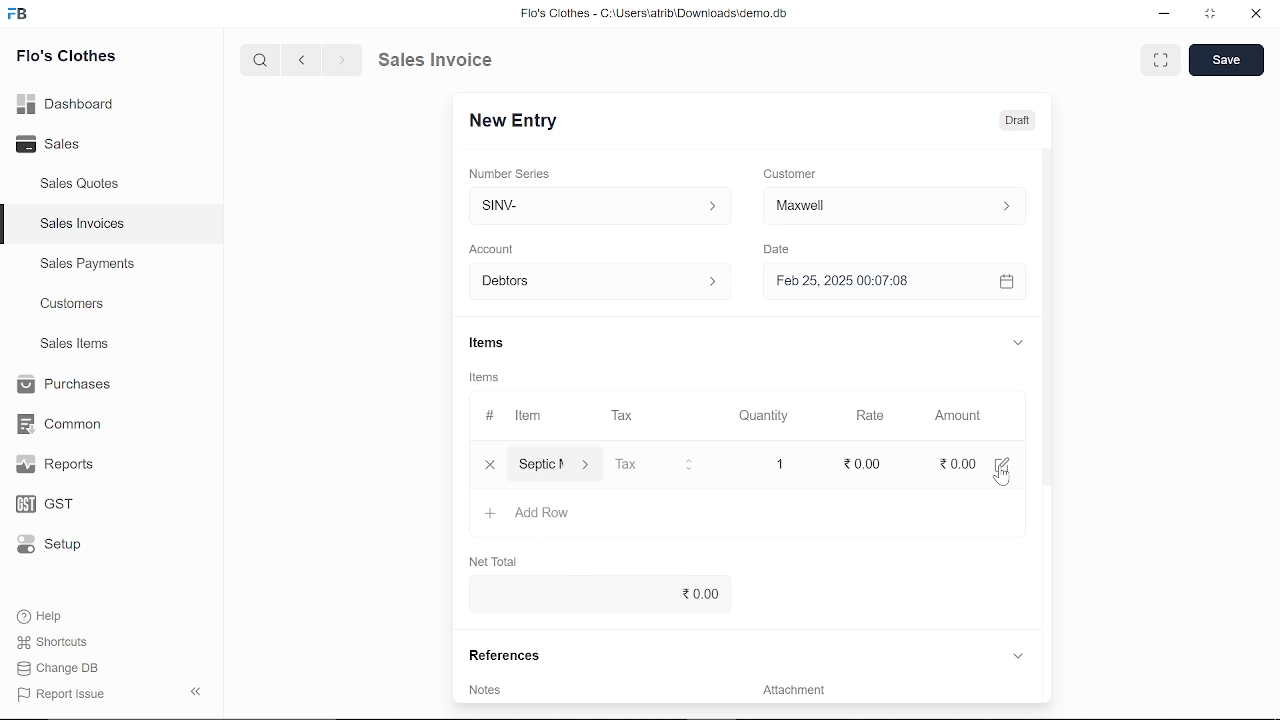 The width and height of the screenshot is (1280, 720). What do you see at coordinates (1020, 344) in the screenshot?
I see `expand` at bounding box center [1020, 344].